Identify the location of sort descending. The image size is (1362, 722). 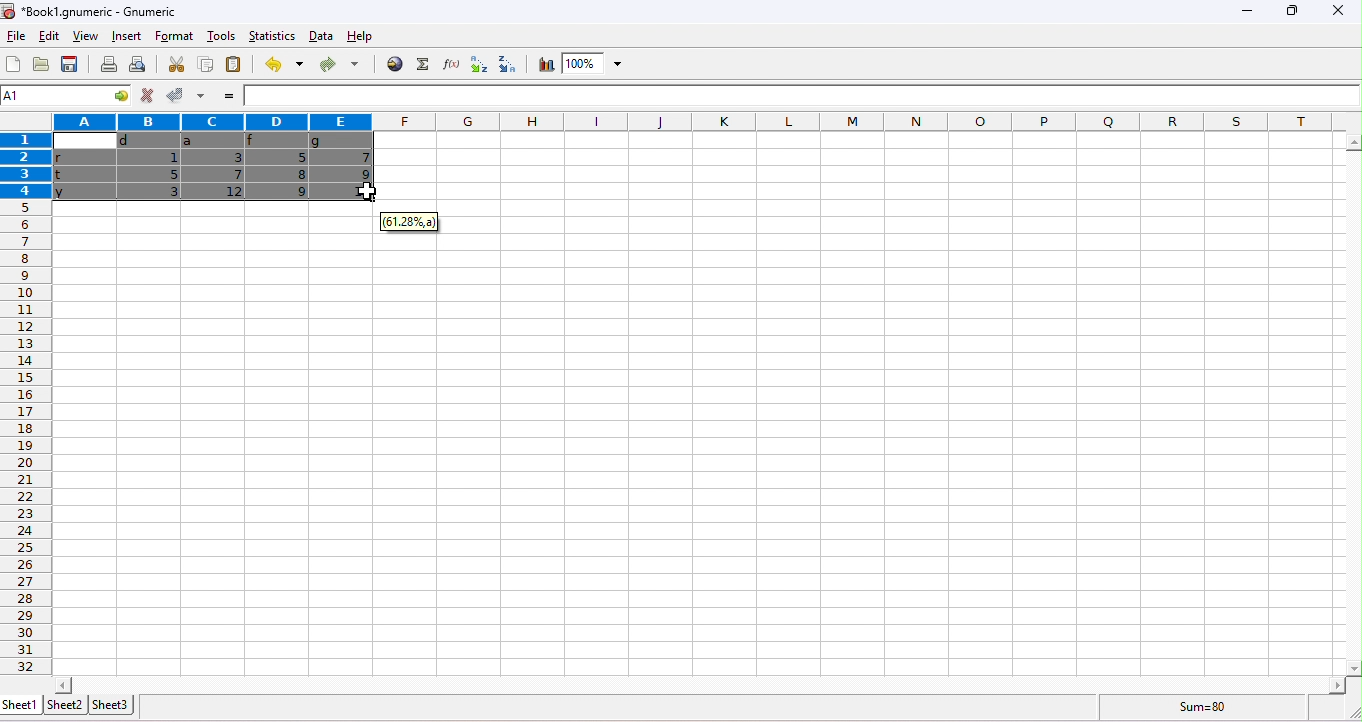
(509, 63).